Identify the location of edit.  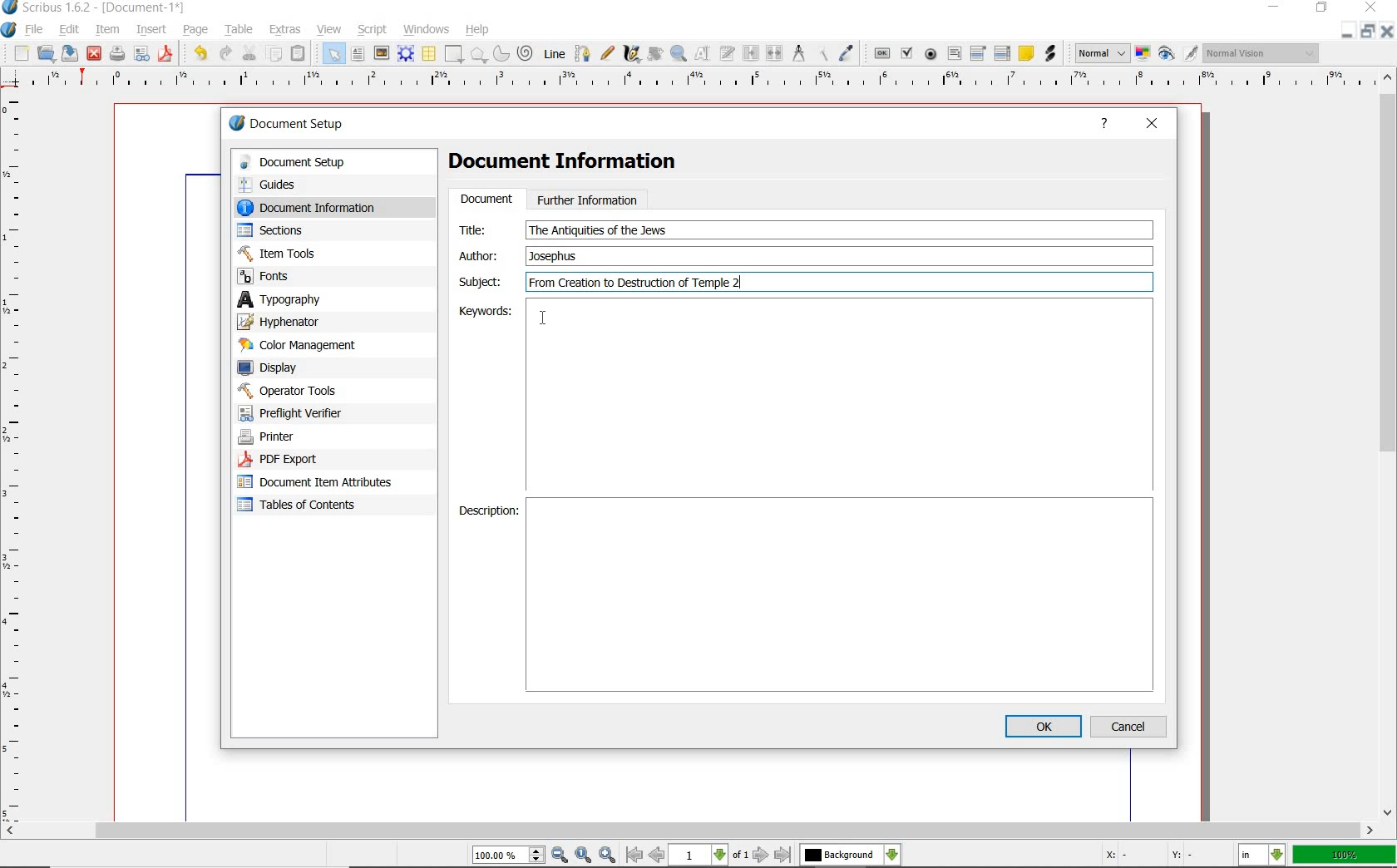
(70, 29).